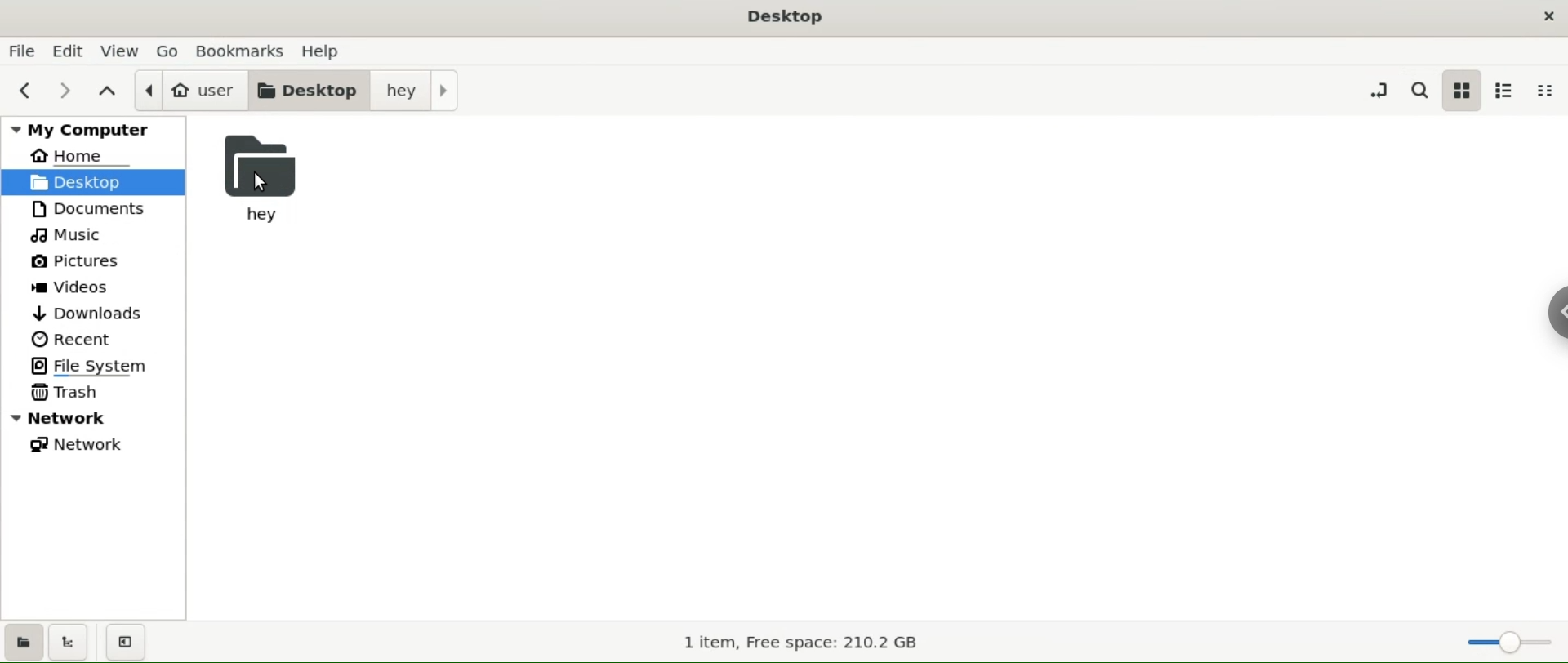 This screenshot has width=1568, height=663. What do you see at coordinates (69, 89) in the screenshot?
I see `next` at bounding box center [69, 89].